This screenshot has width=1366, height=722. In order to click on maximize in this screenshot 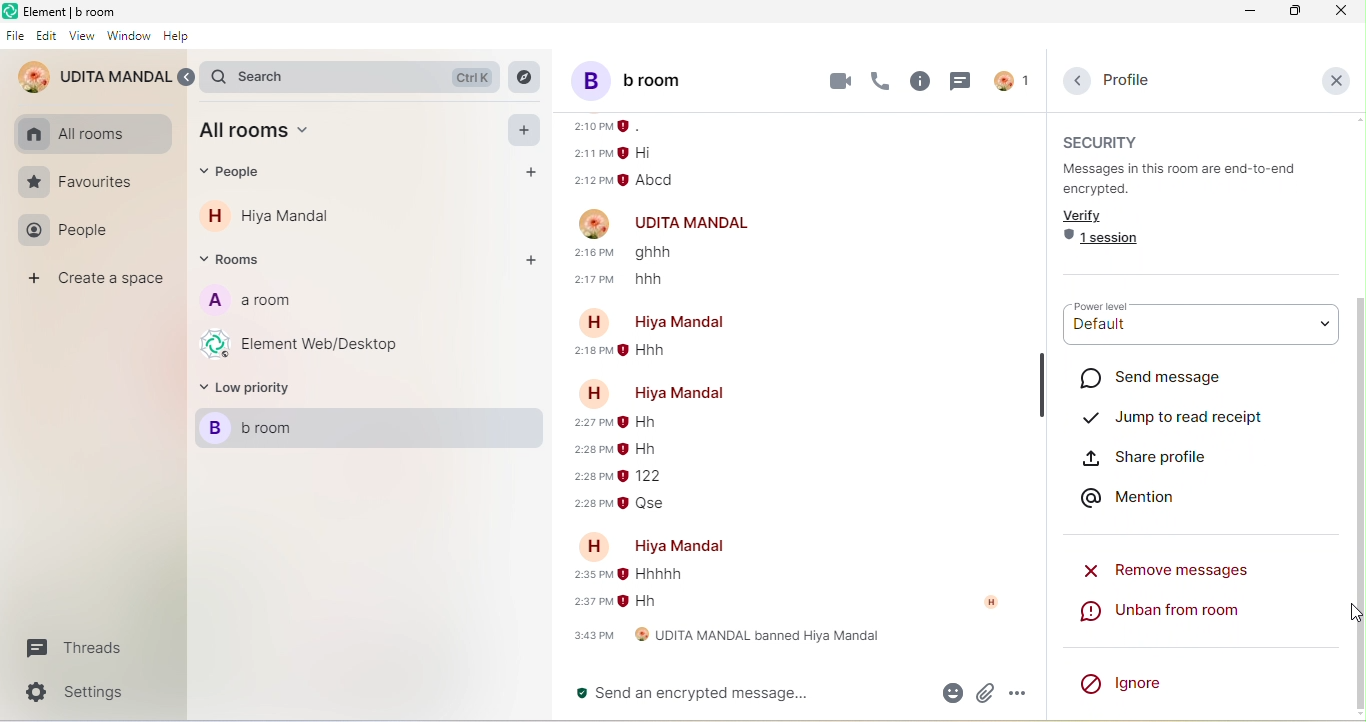, I will do `click(1294, 11)`.